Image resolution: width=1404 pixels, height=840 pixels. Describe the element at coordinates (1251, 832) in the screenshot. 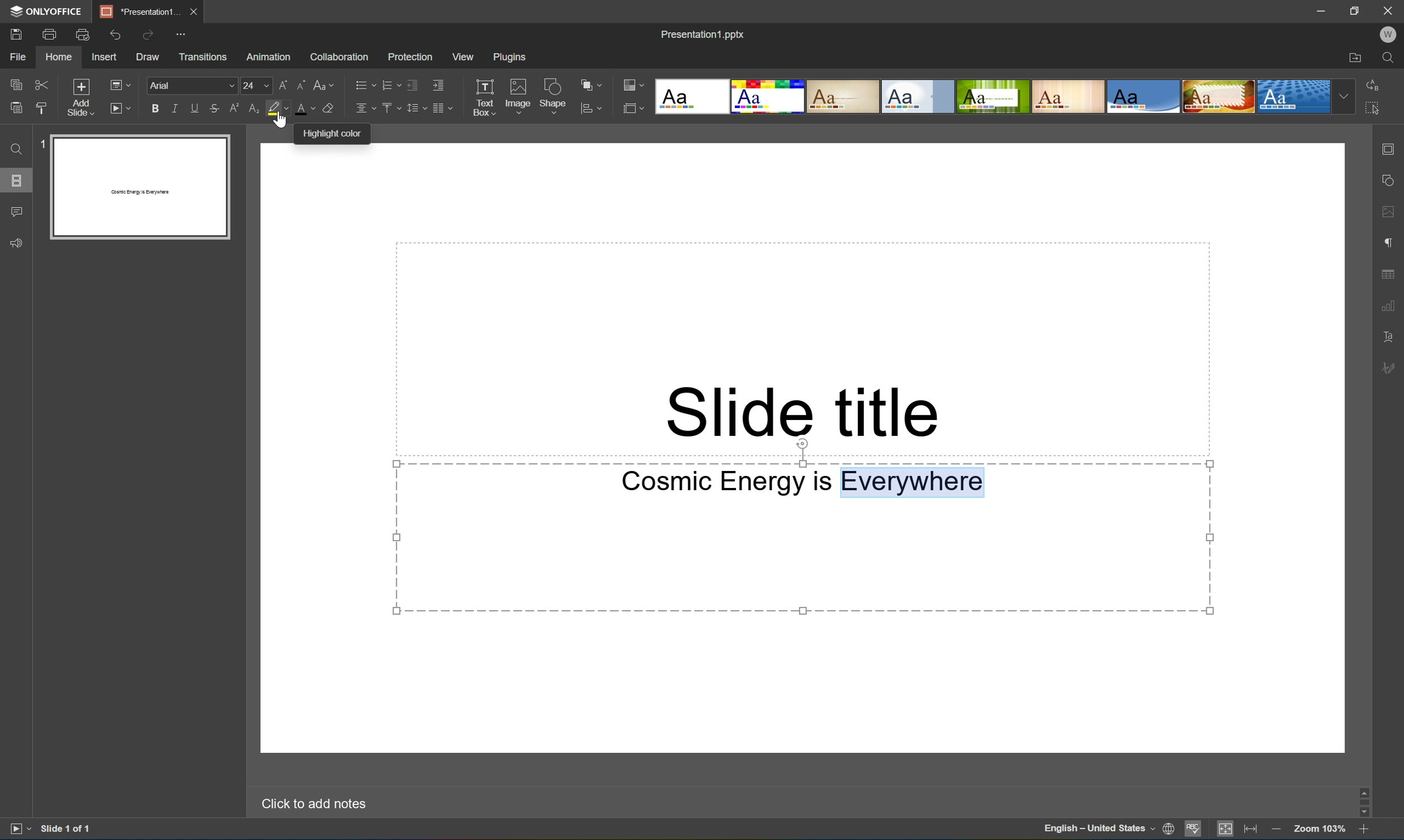

I see `Fit to width` at that location.